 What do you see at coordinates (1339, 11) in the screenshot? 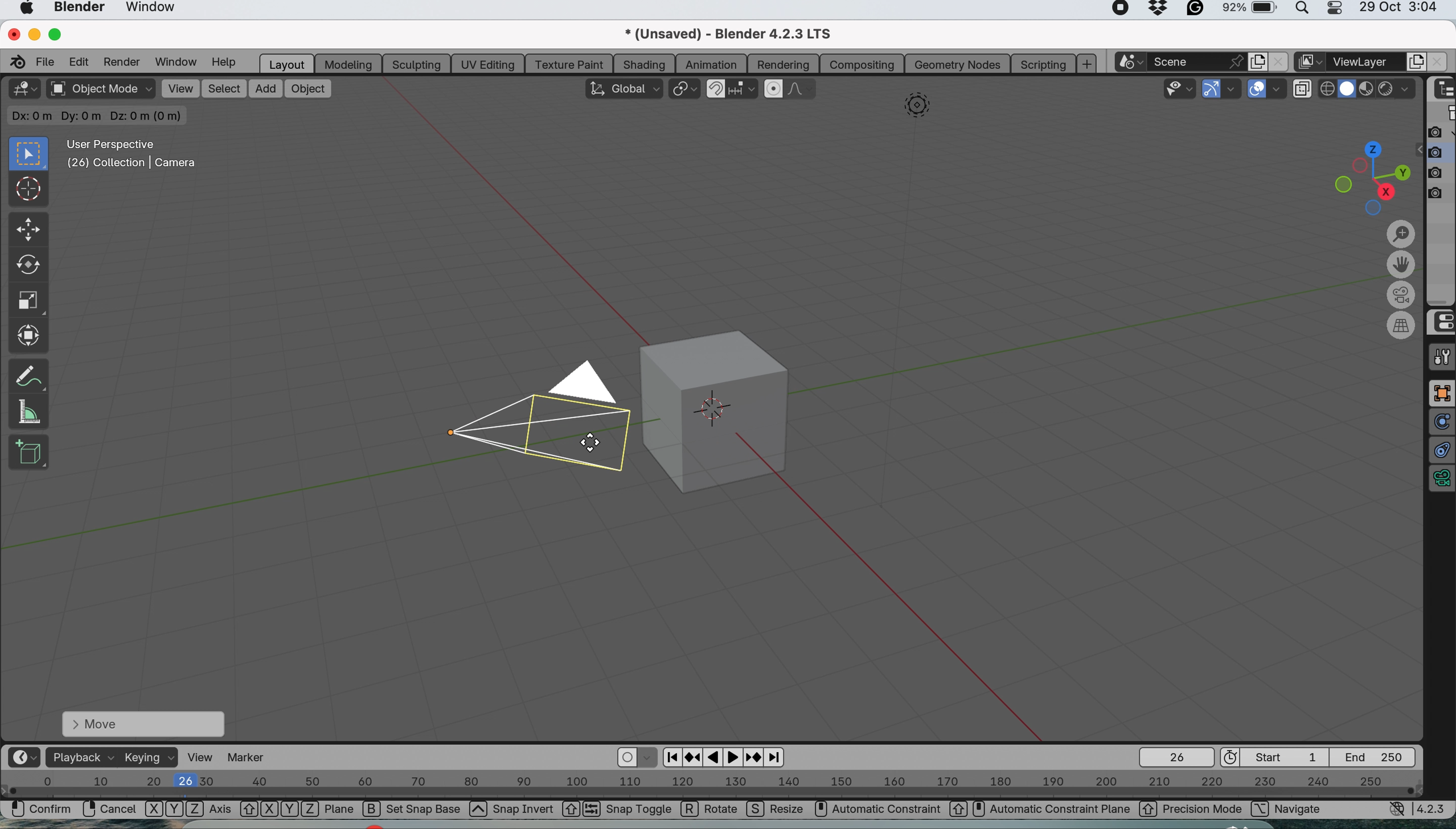
I see `control center` at bounding box center [1339, 11].